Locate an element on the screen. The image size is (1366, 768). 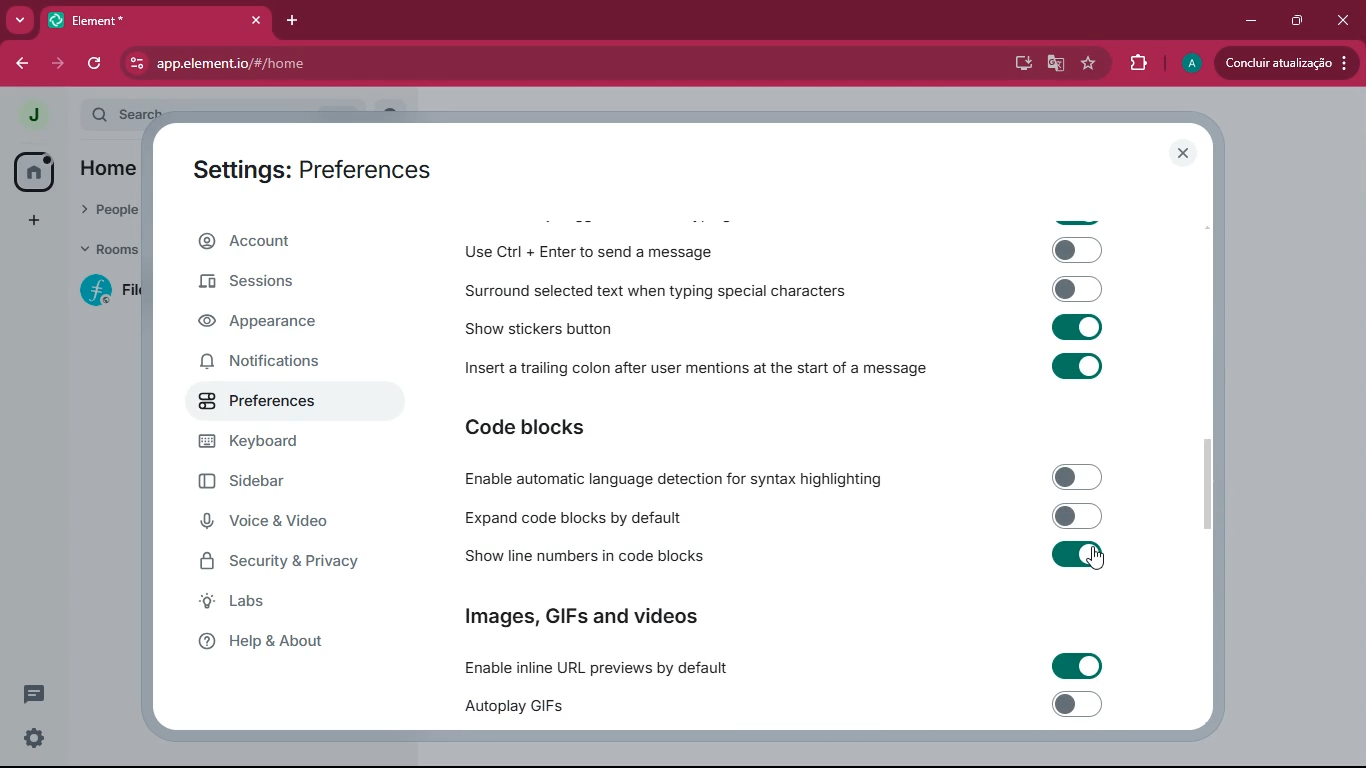
Use Ctrl + Enter to send a message is located at coordinates (782, 252).